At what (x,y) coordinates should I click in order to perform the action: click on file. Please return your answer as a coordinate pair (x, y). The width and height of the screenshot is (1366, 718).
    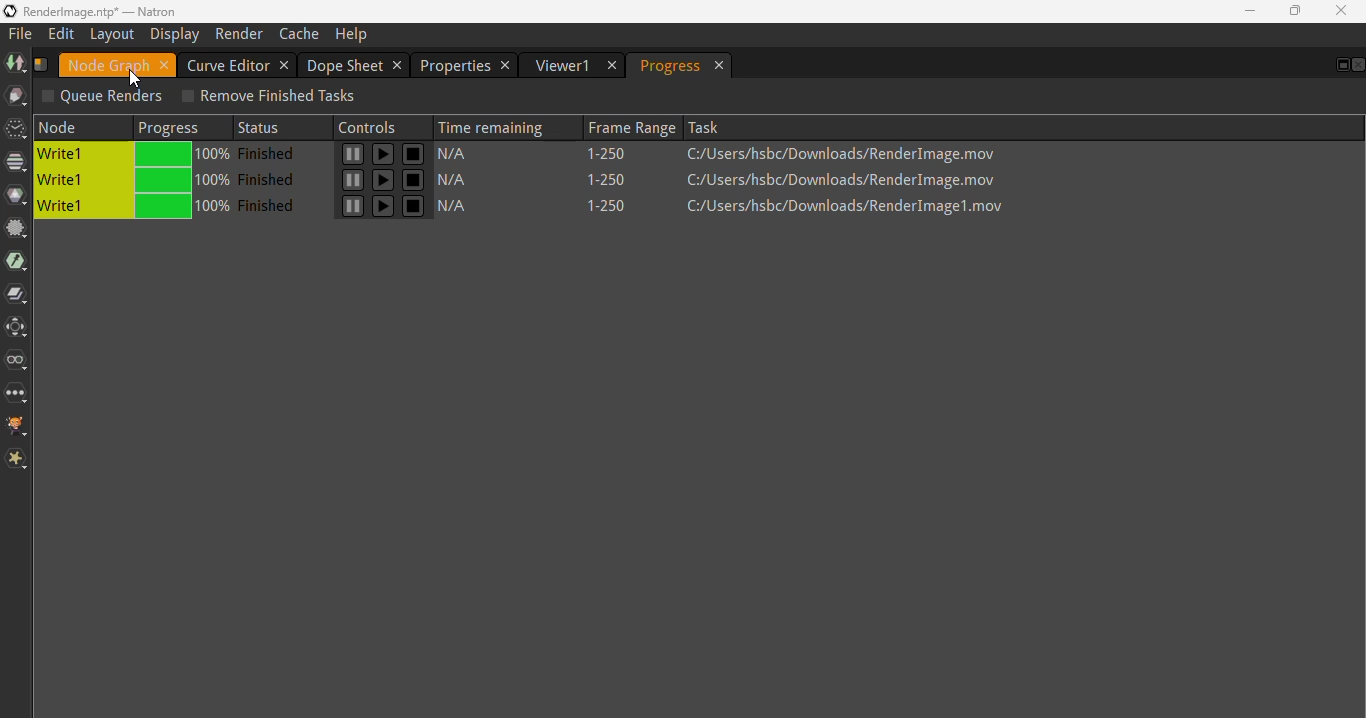
    Looking at the image, I should click on (21, 34).